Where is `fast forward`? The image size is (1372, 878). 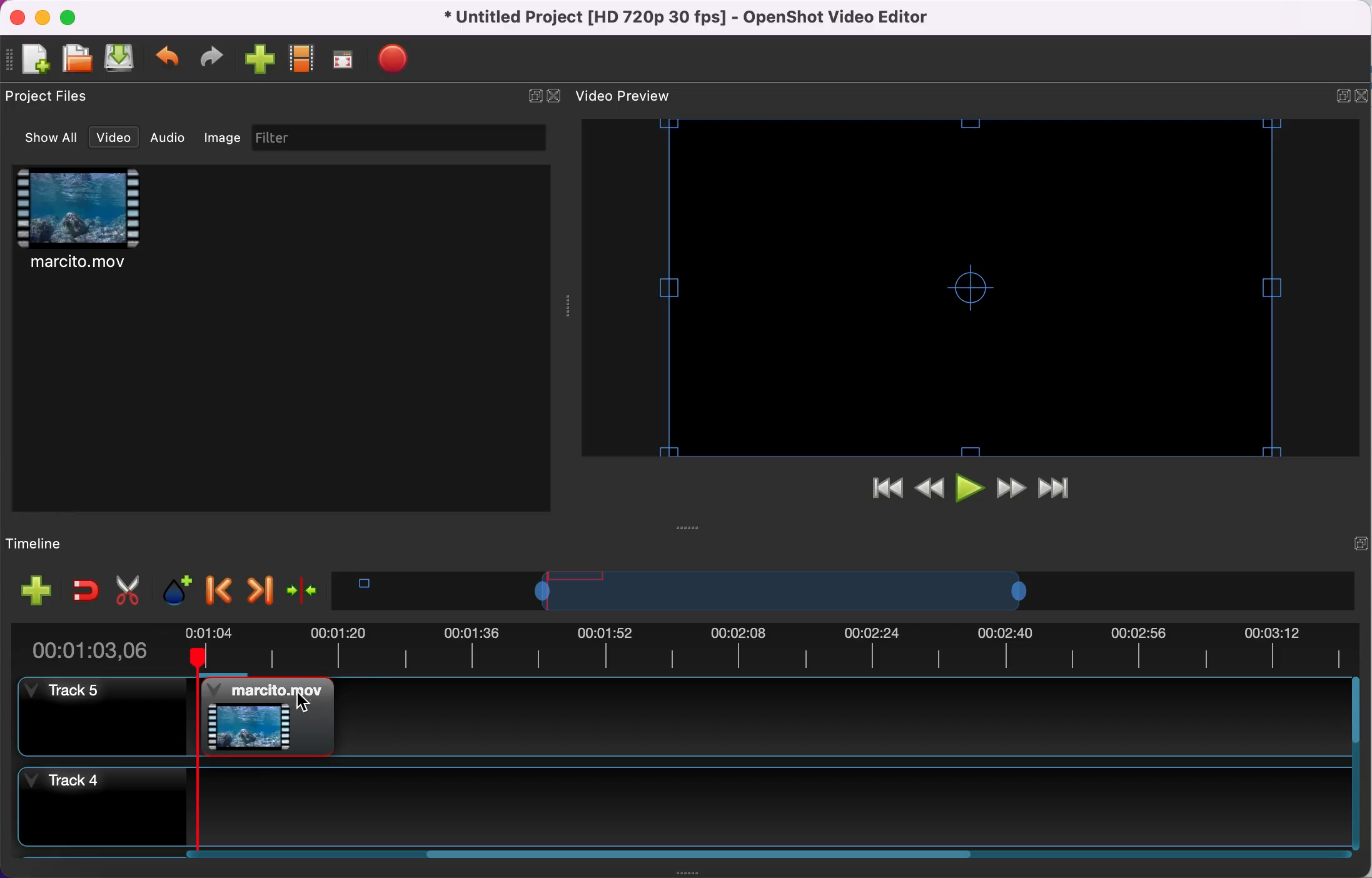
fast forward is located at coordinates (1010, 492).